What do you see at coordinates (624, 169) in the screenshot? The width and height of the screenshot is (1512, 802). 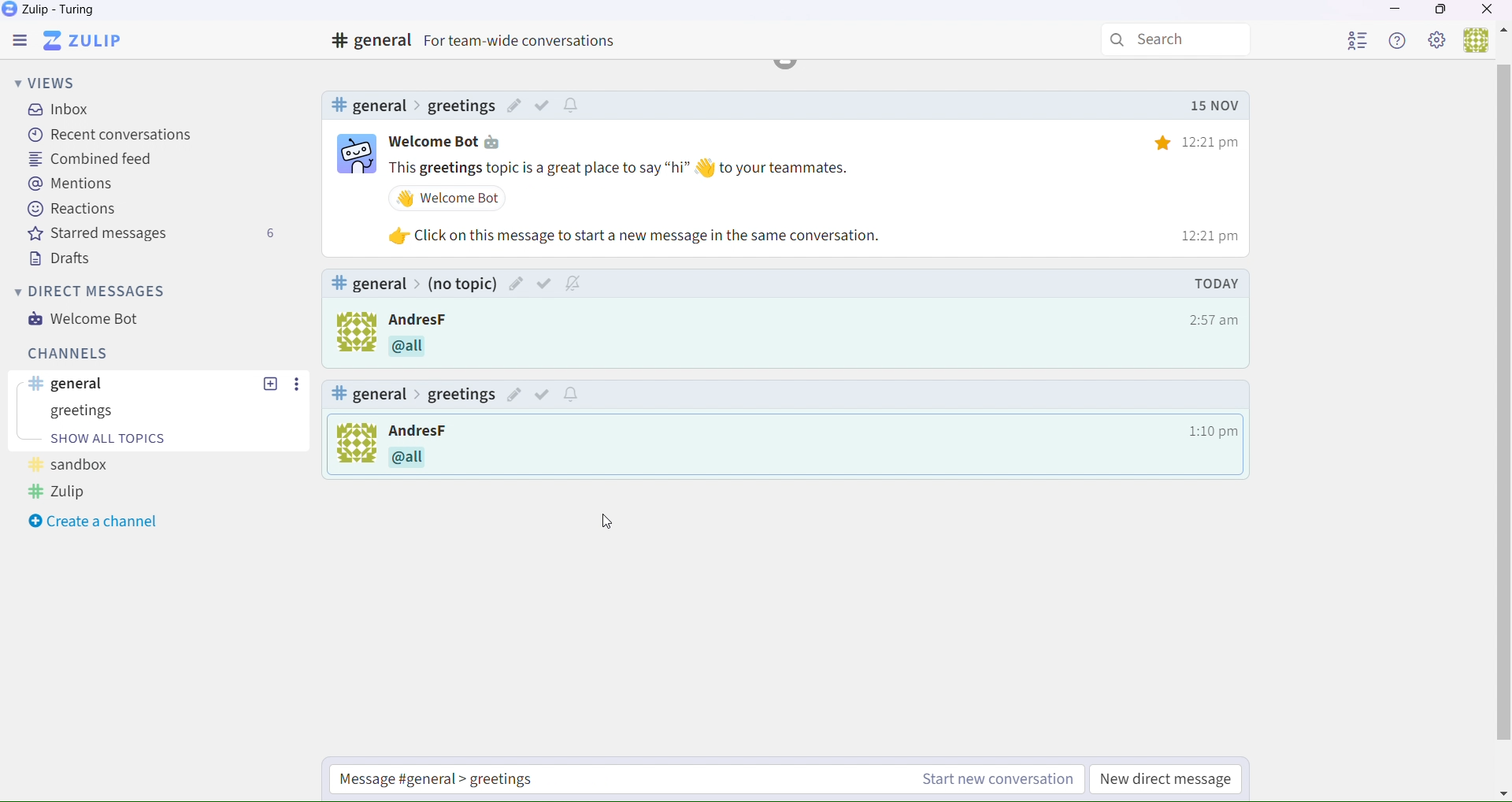 I see `` at bounding box center [624, 169].